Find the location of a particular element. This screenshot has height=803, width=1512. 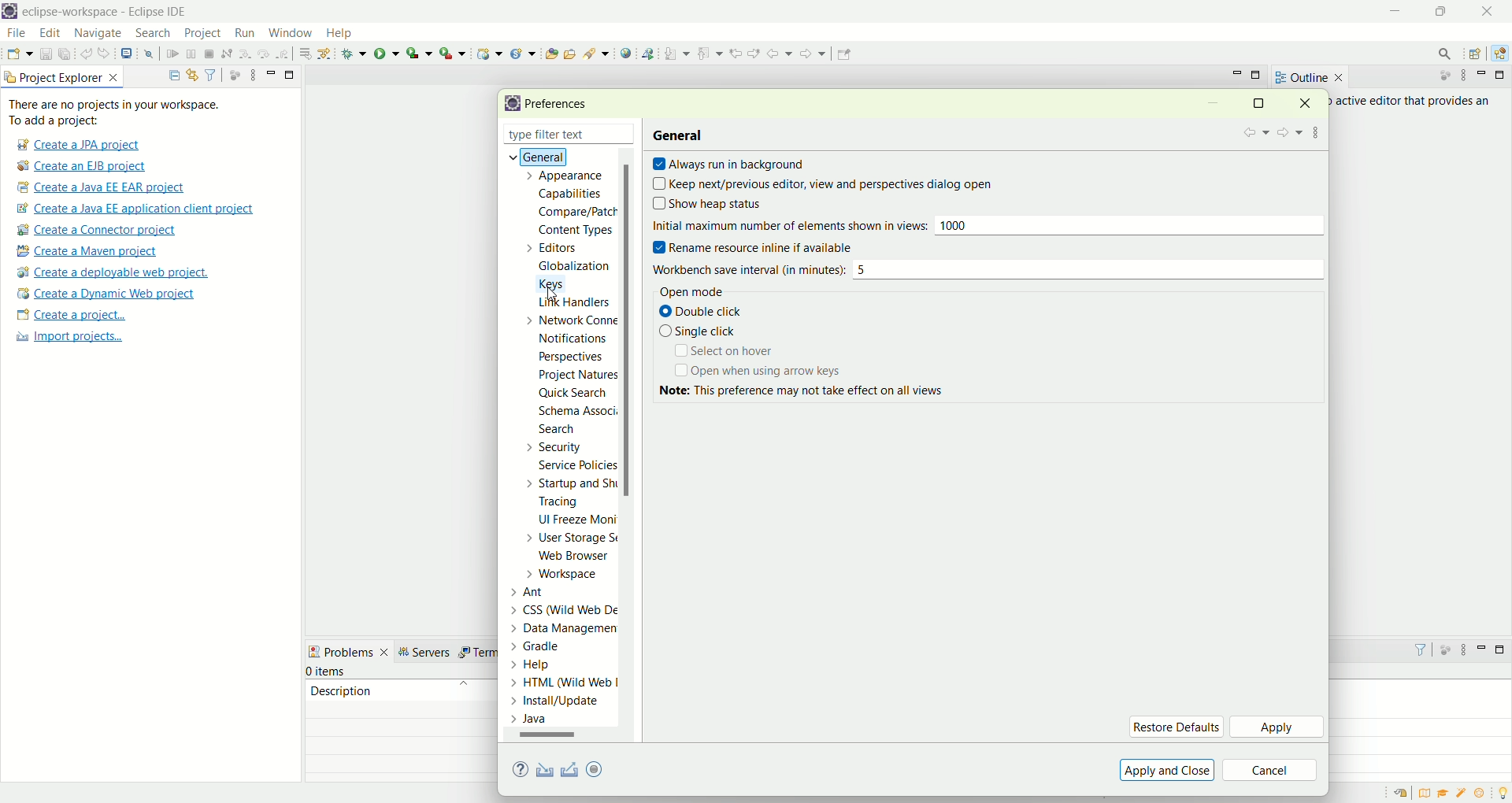

always run in background is located at coordinates (728, 165).